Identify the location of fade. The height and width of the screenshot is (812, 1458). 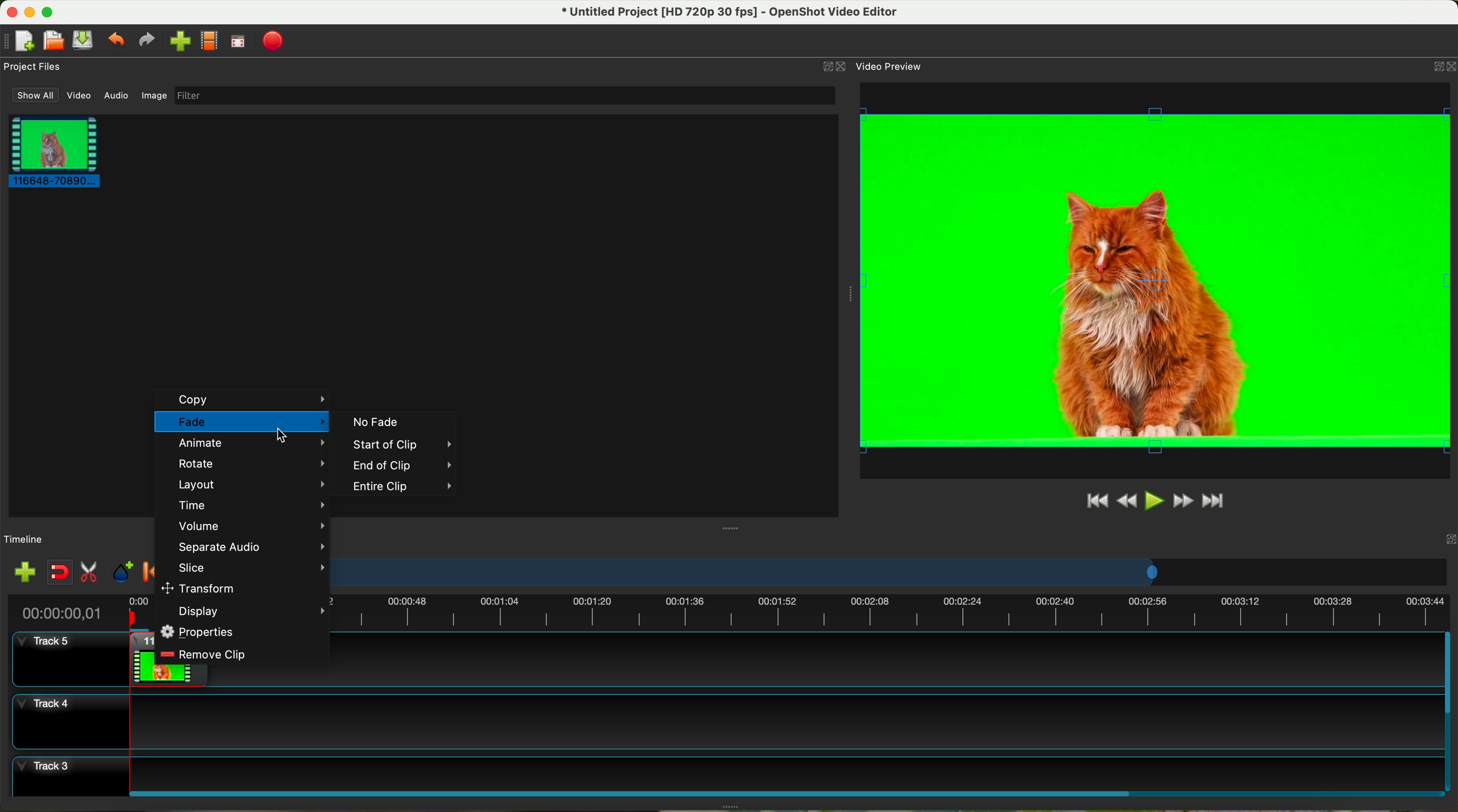
(242, 423).